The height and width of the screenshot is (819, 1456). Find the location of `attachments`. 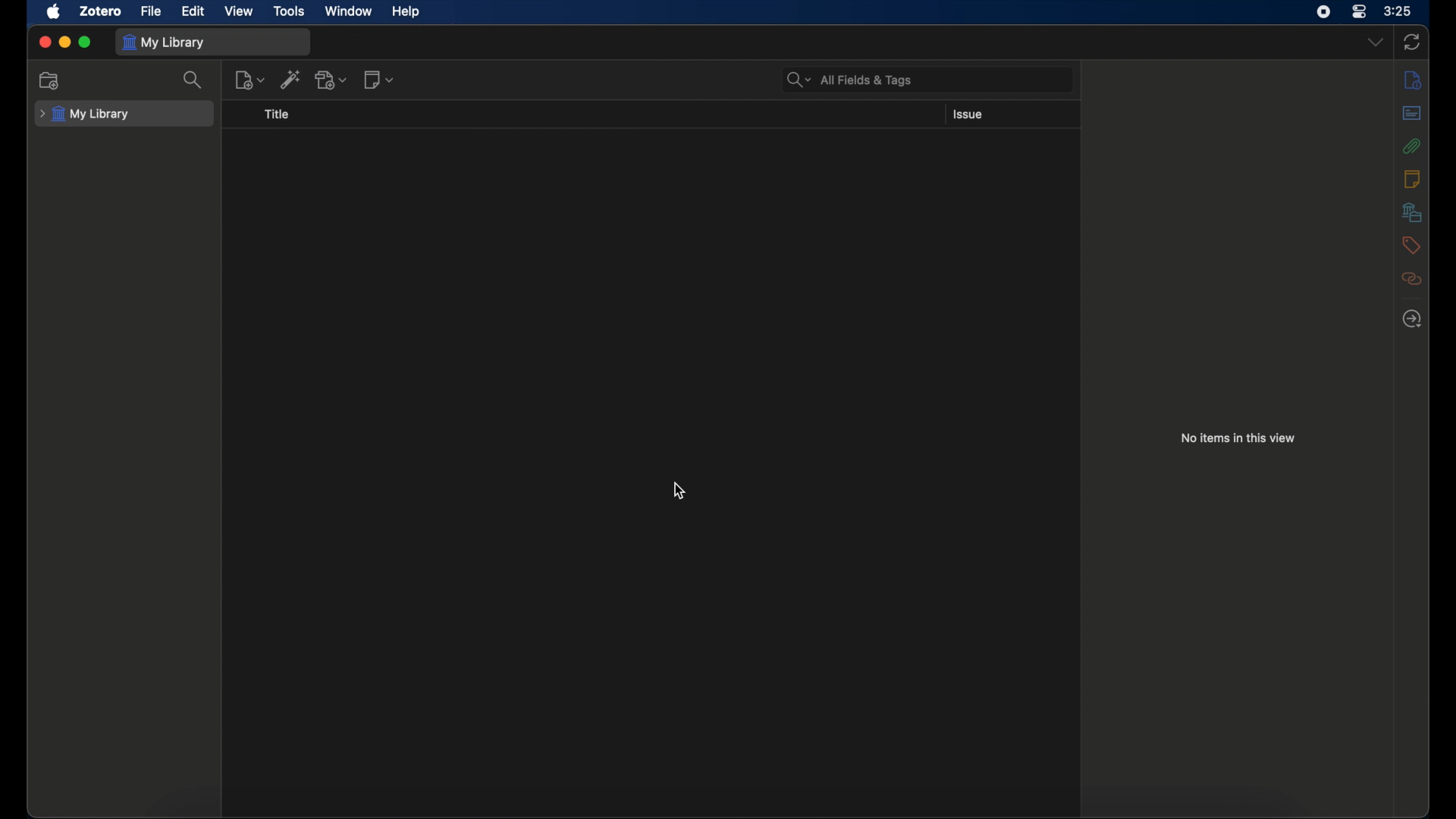

attachments is located at coordinates (1410, 146).